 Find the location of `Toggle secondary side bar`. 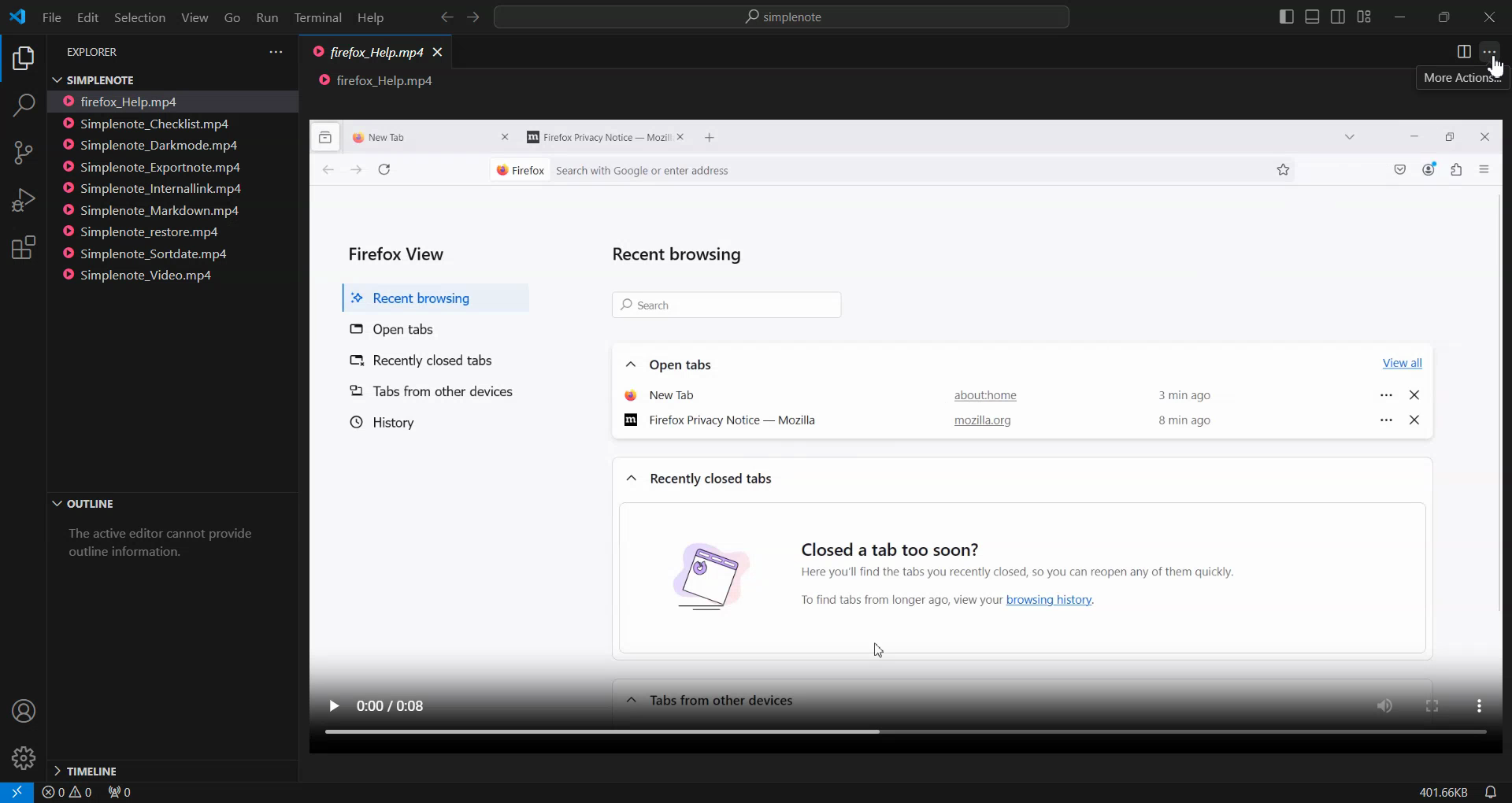

Toggle secondary side bar is located at coordinates (1337, 17).